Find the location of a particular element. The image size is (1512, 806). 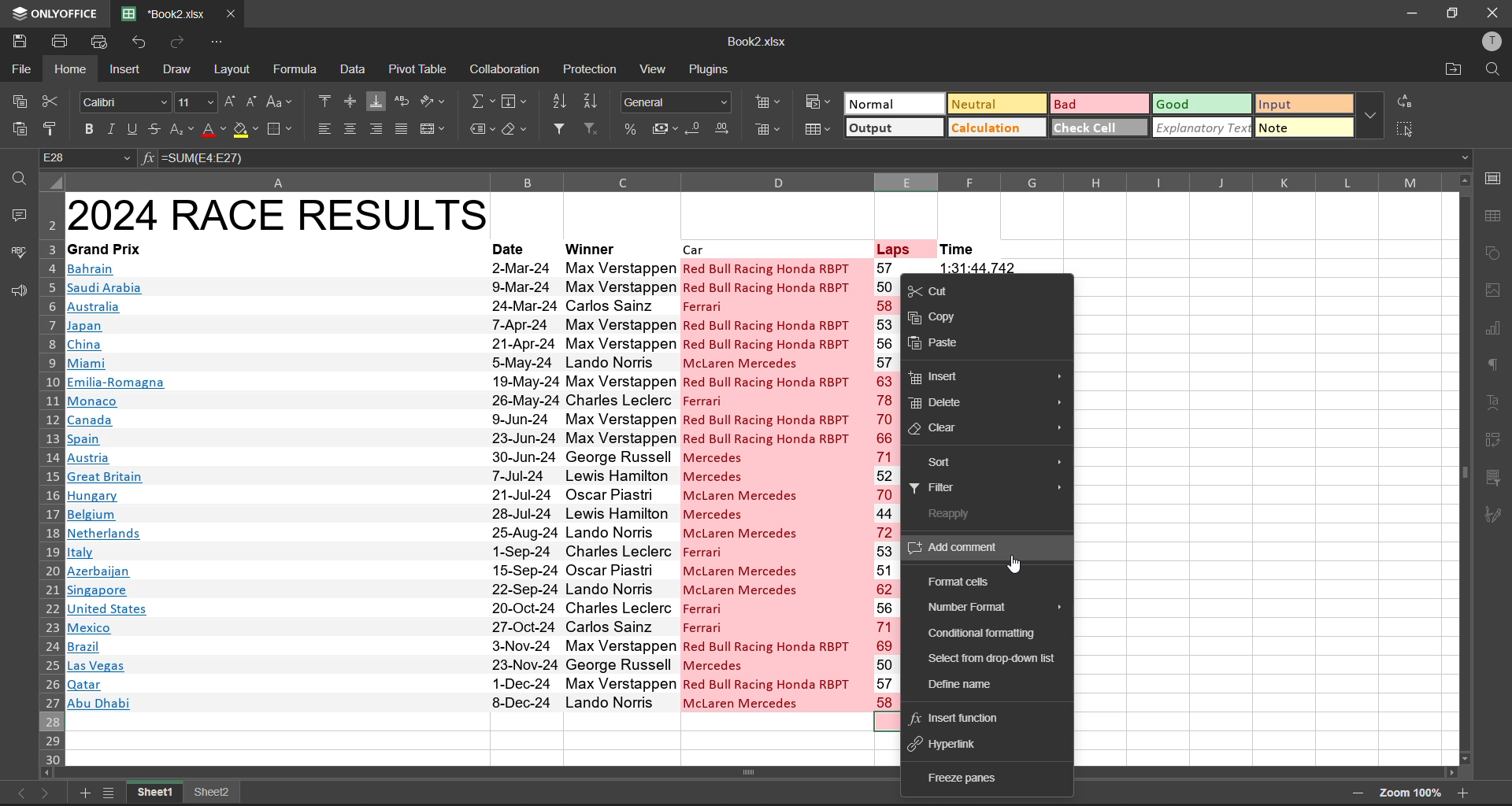

zoom out is located at coordinates (1359, 793).